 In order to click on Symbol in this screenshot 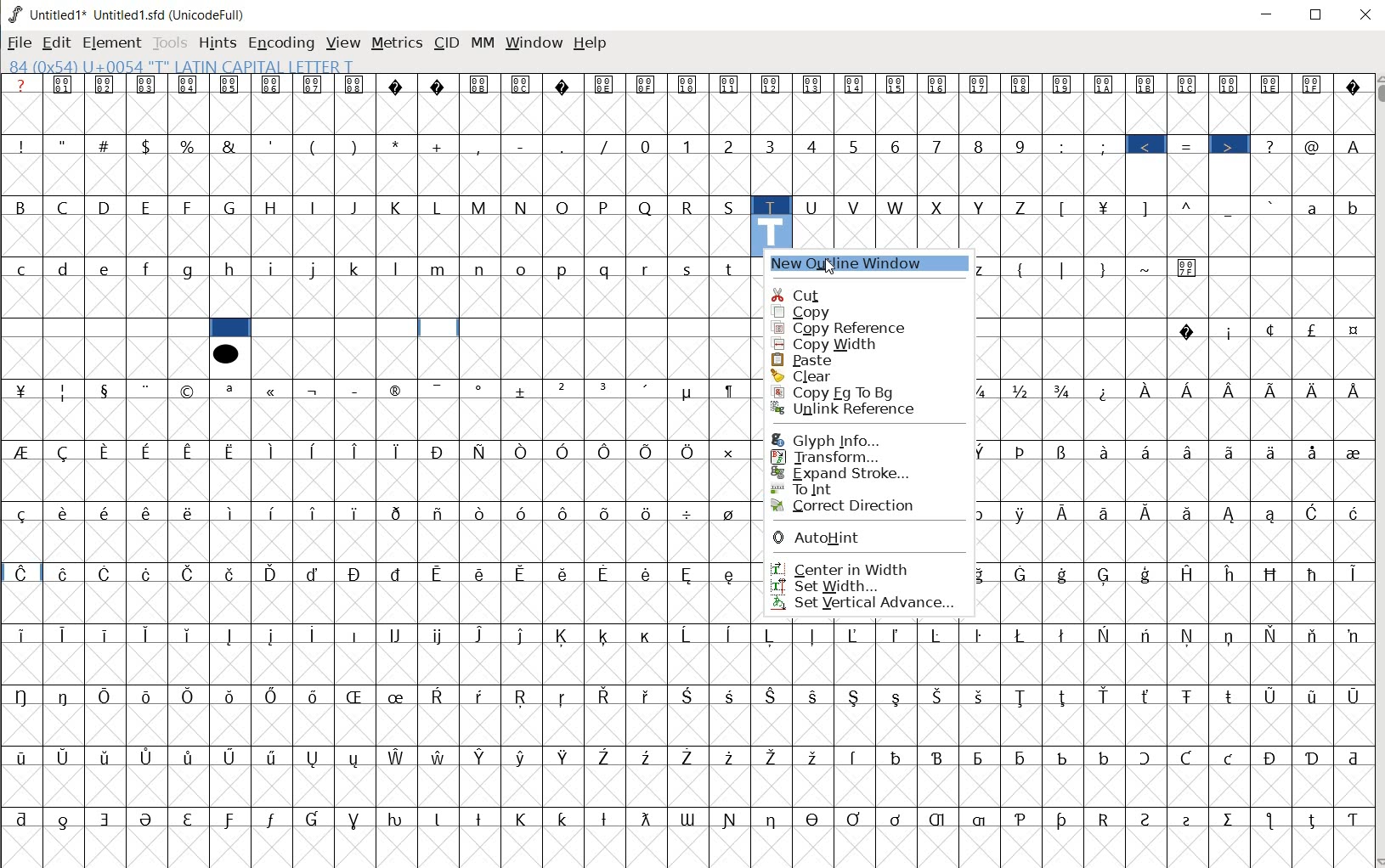, I will do `click(187, 84)`.